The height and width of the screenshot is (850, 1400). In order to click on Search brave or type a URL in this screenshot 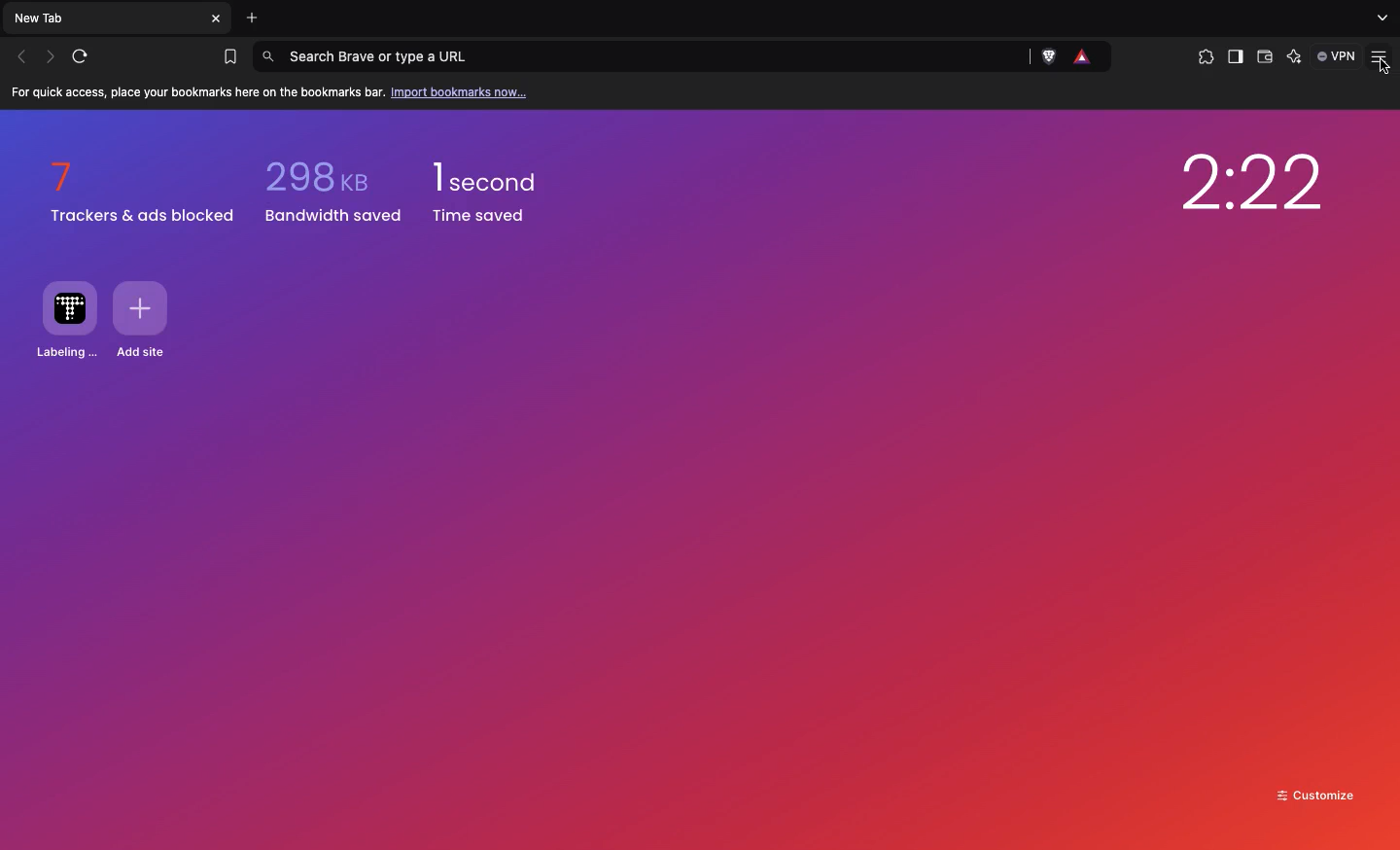, I will do `click(644, 57)`.